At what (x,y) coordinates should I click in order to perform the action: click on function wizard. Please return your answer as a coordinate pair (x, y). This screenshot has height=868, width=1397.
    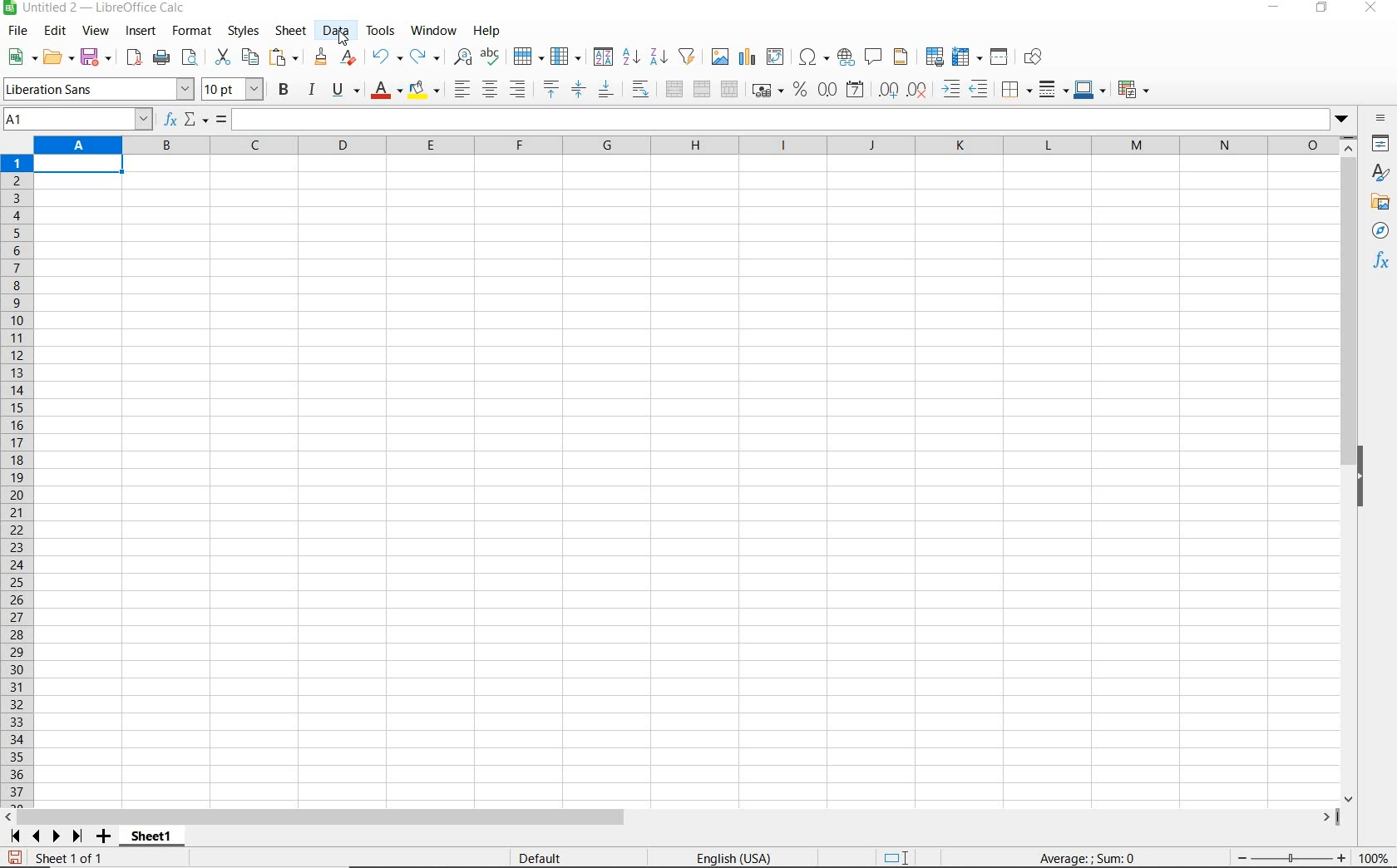
    Looking at the image, I should click on (168, 120).